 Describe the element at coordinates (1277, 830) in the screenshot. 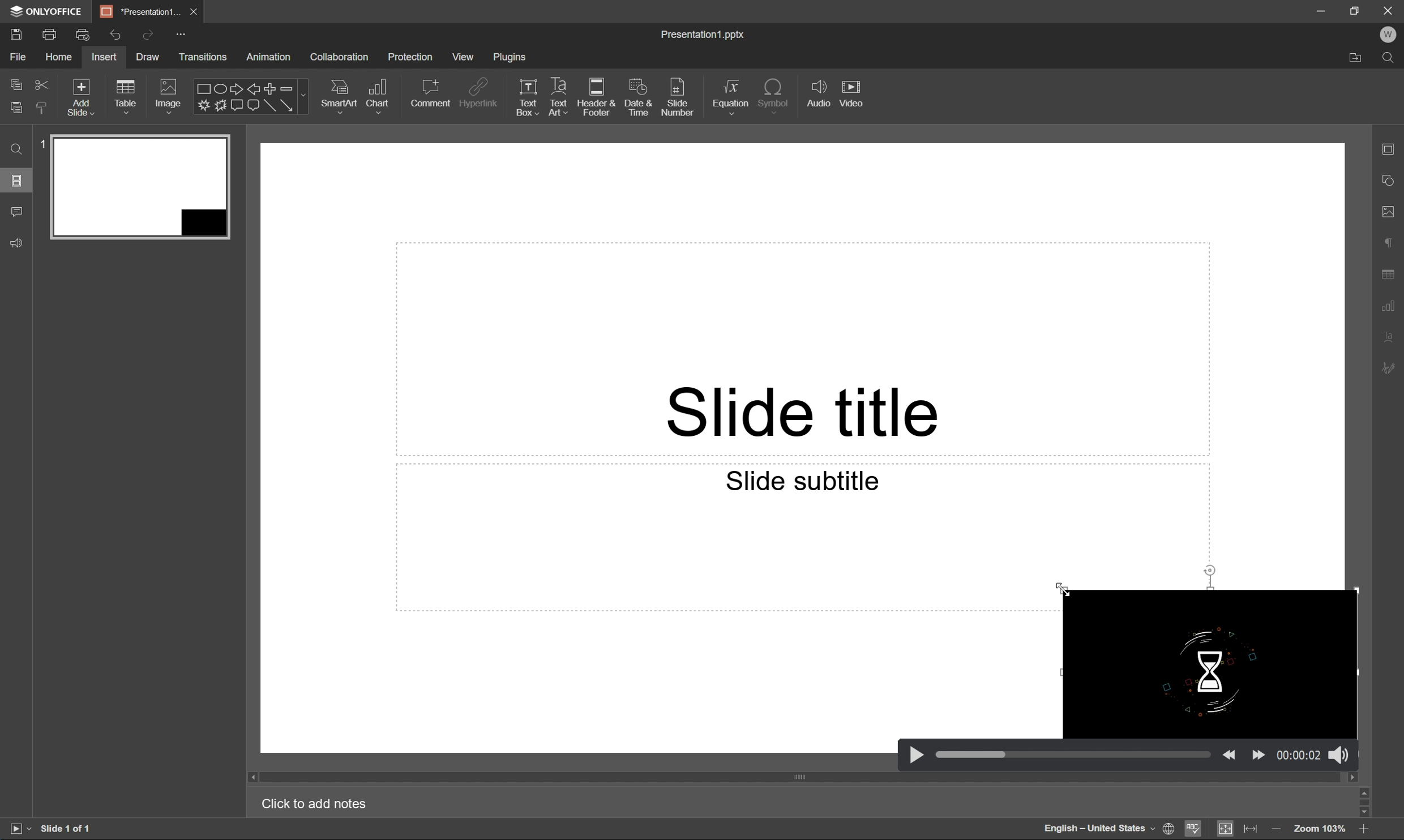

I see `zoom in` at that location.